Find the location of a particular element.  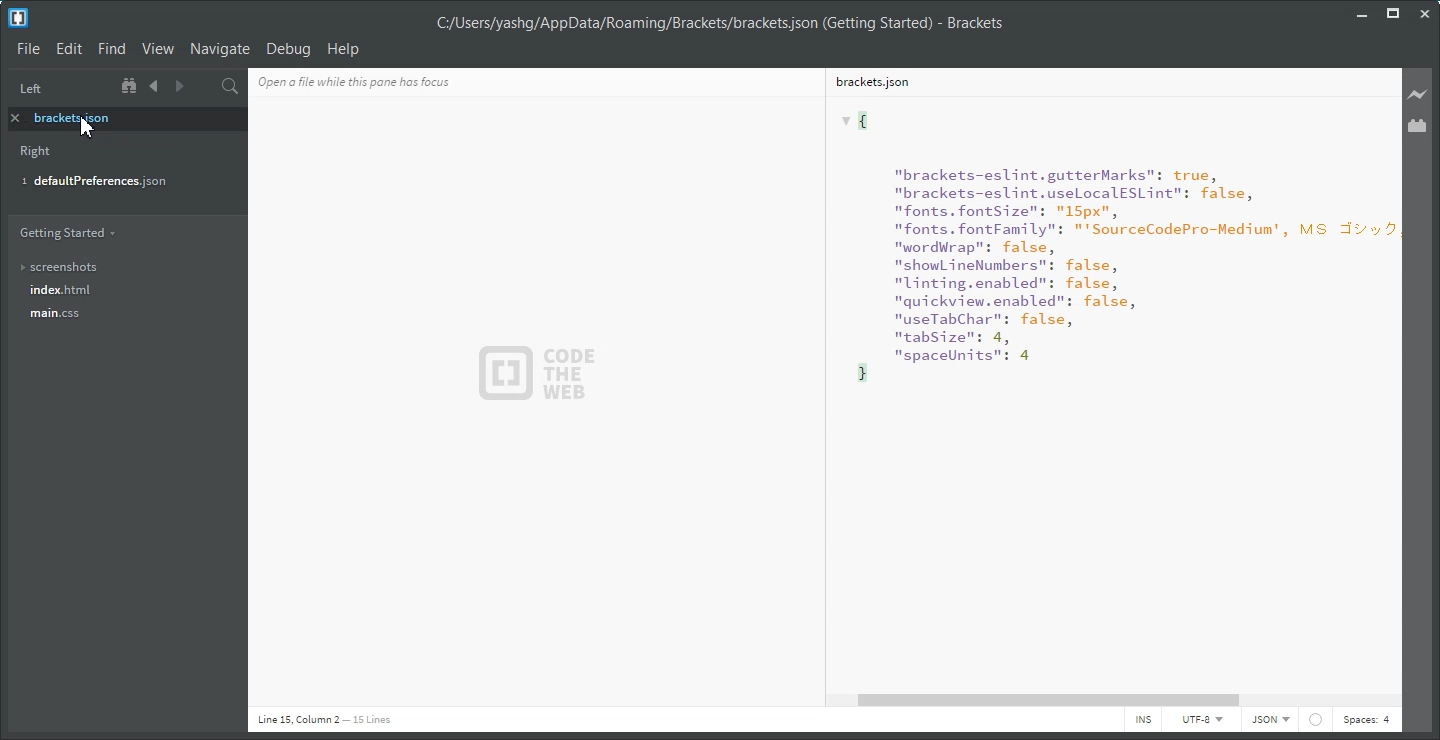

Spaces: 4 is located at coordinates (1366, 721).